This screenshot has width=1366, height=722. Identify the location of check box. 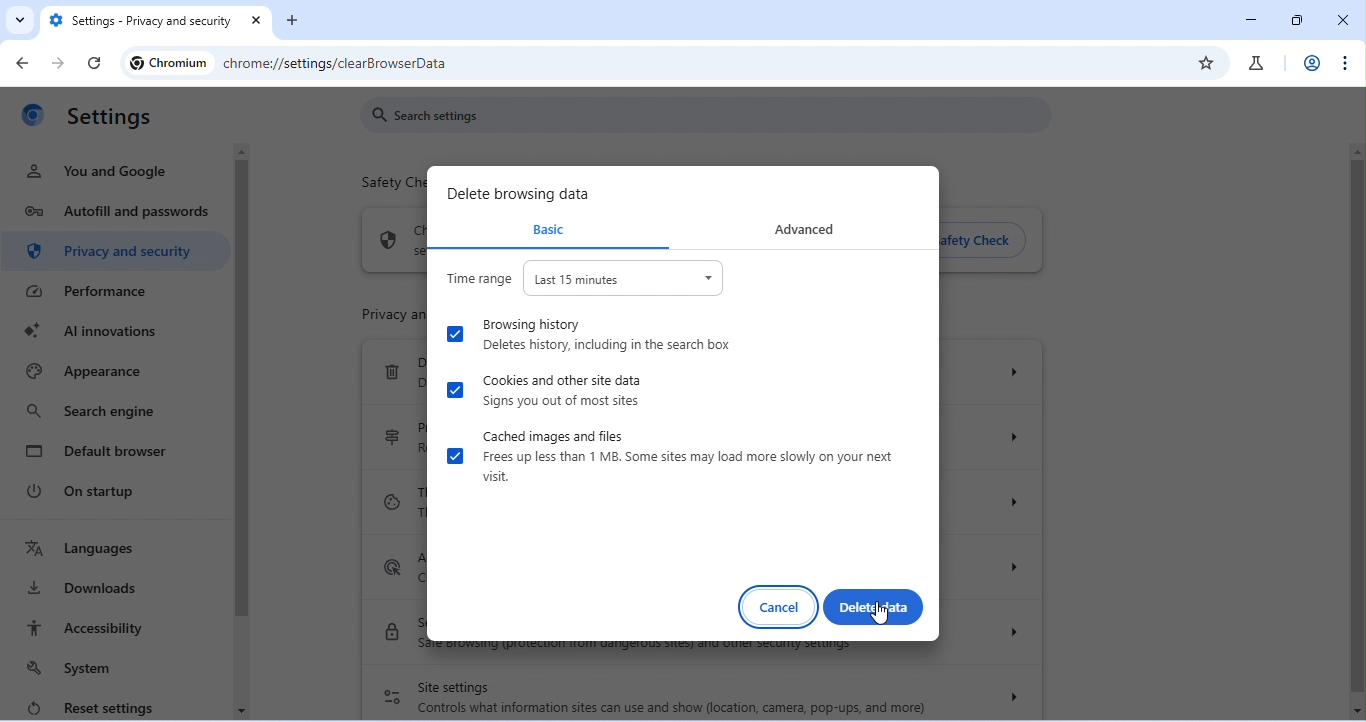
(454, 333).